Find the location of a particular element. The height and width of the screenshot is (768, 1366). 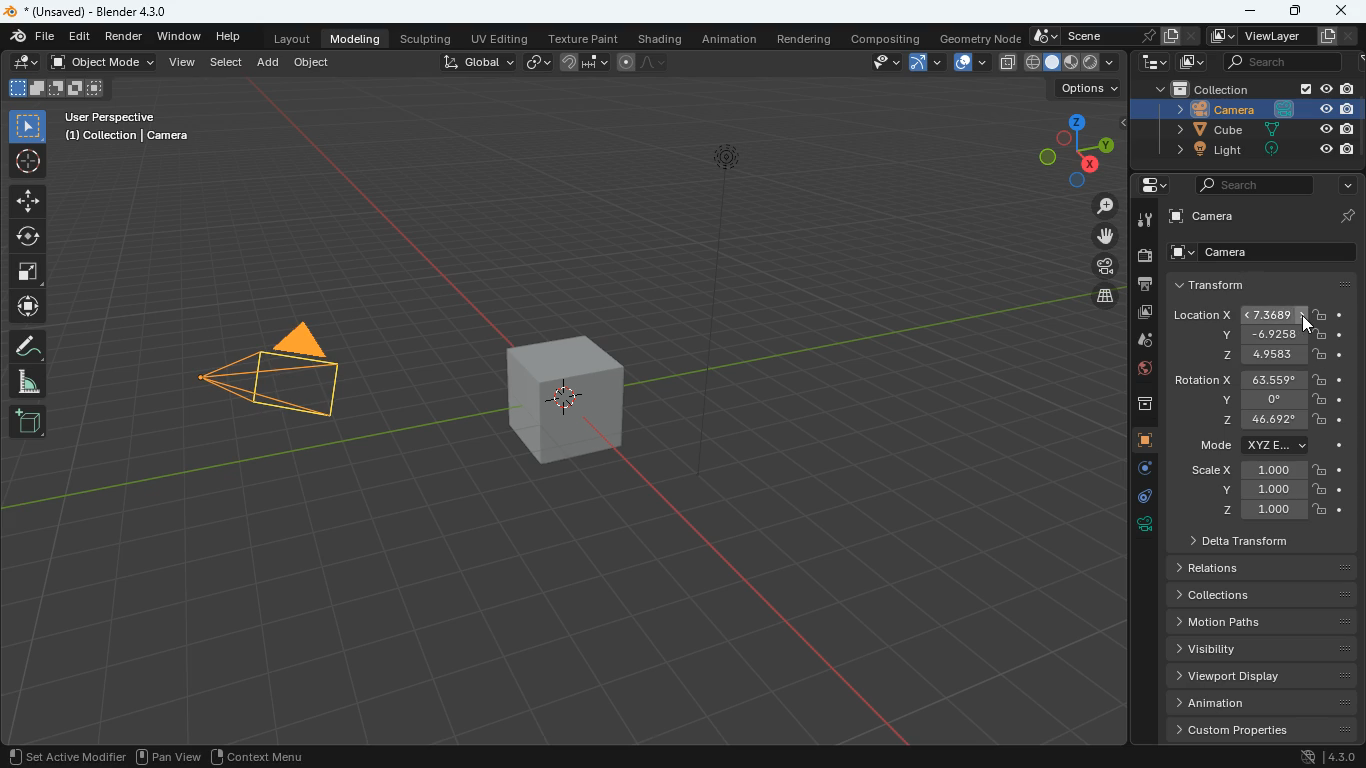

line object is located at coordinates (722, 307).